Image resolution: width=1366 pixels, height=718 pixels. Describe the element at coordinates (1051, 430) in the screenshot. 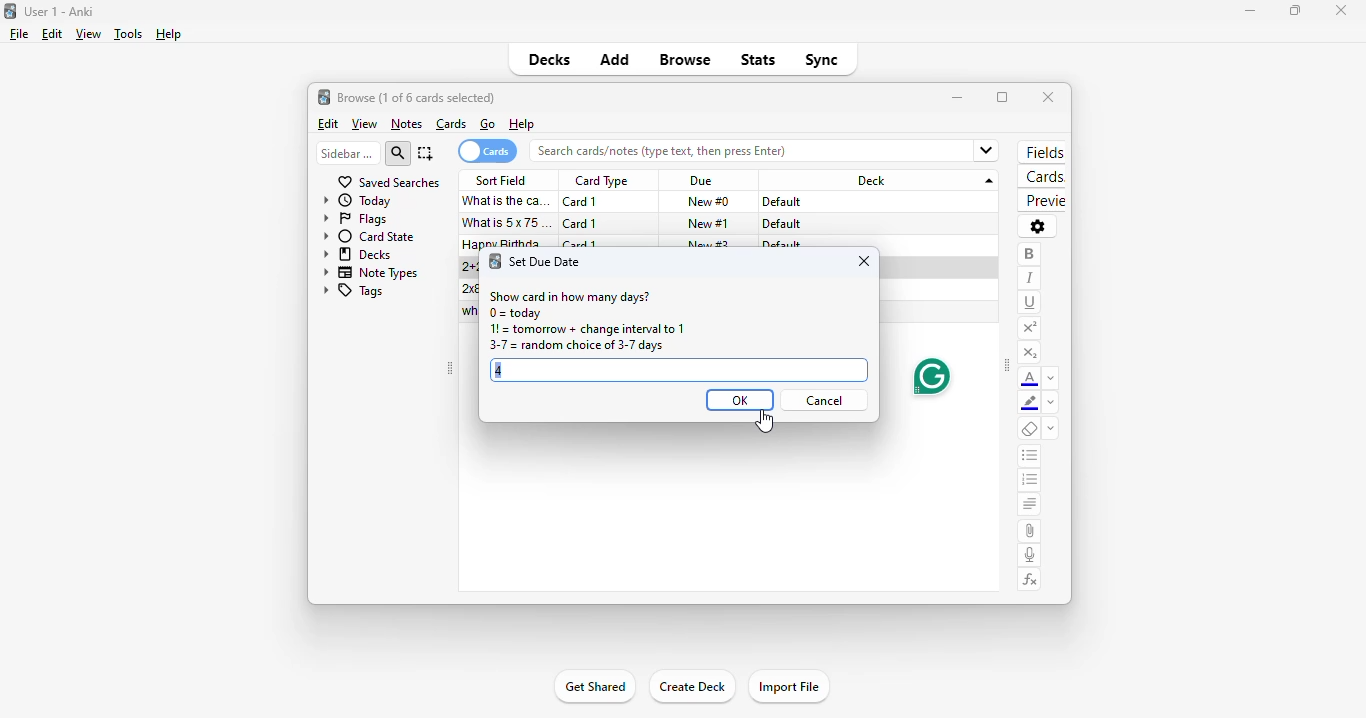

I see `select formatting to remove` at that location.